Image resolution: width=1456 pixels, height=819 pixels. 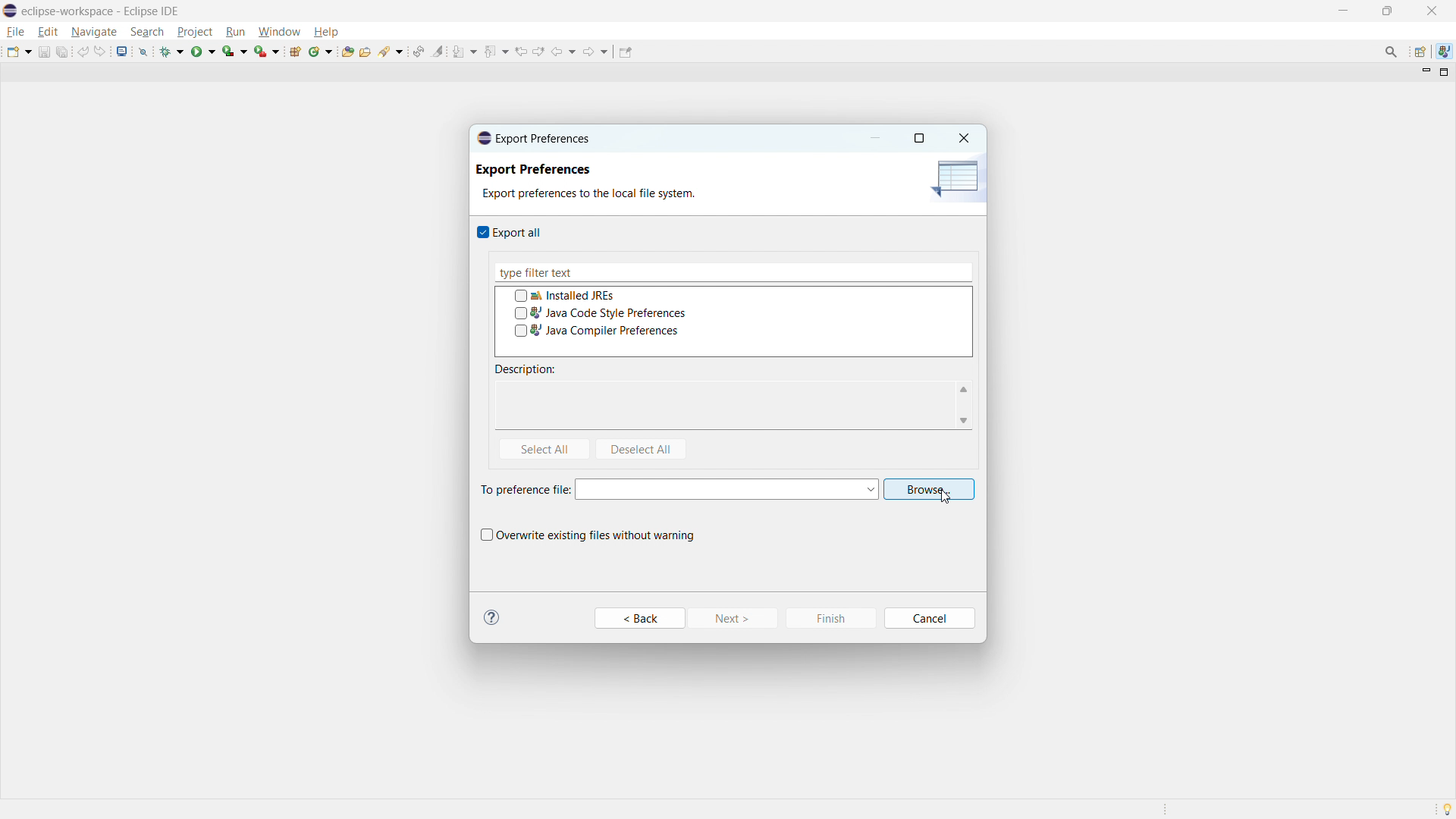 What do you see at coordinates (1444, 50) in the screenshot?
I see `java` at bounding box center [1444, 50].